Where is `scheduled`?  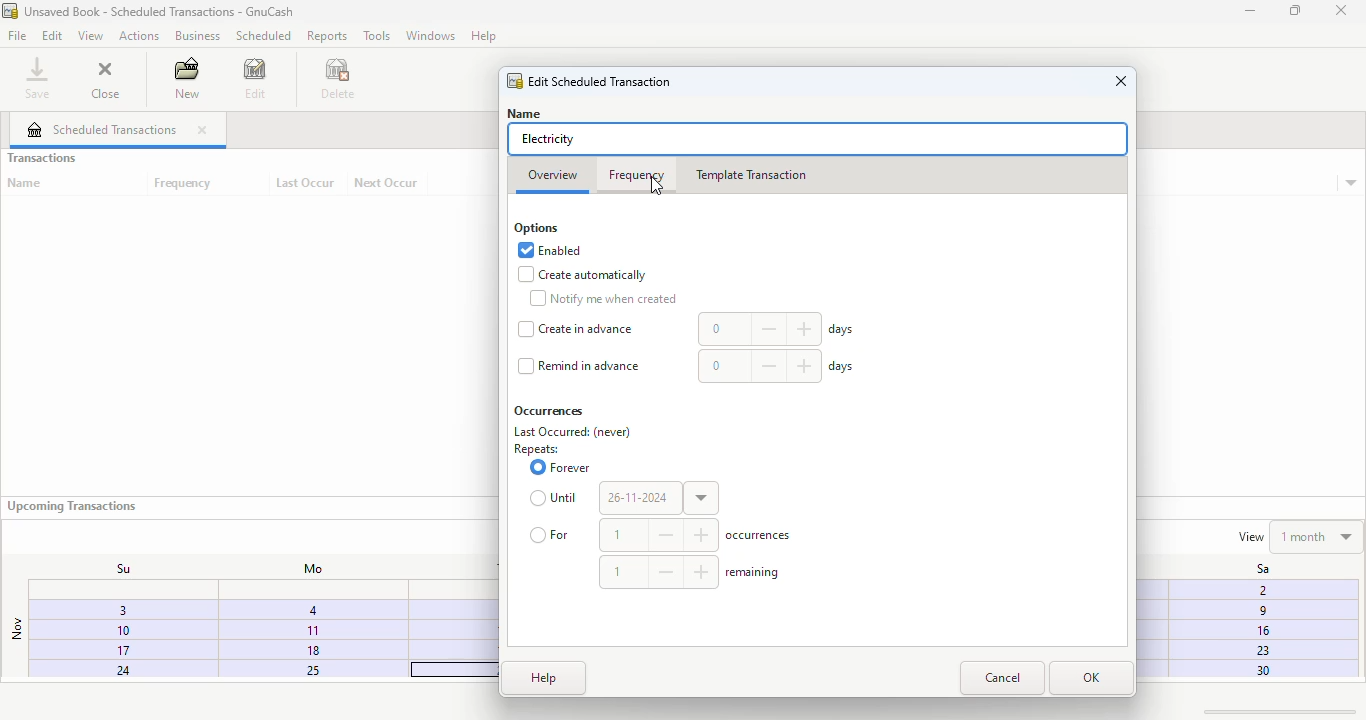
scheduled is located at coordinates (263, 35).